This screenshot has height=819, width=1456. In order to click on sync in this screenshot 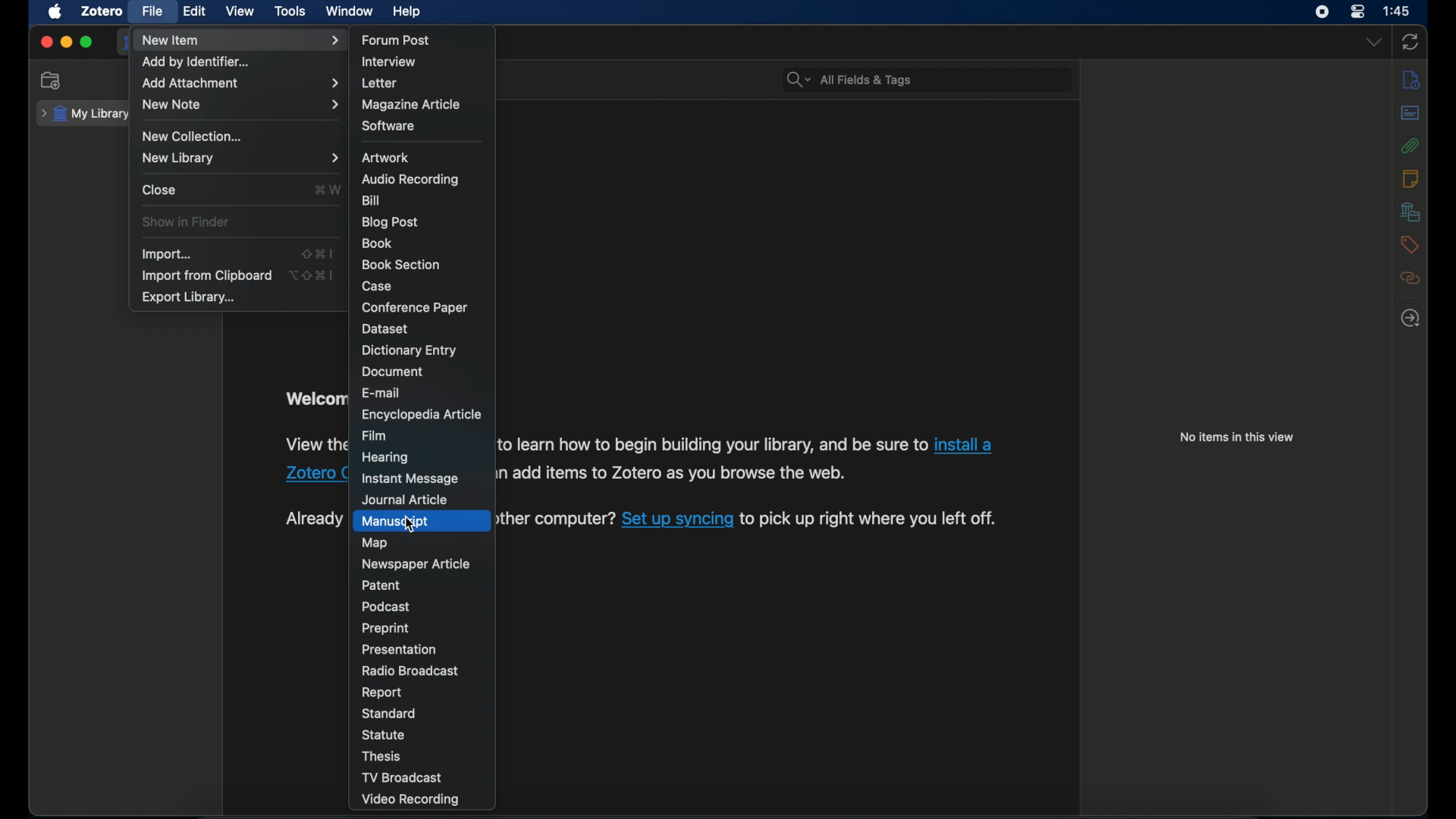, I will do `click(1409, 43)`.